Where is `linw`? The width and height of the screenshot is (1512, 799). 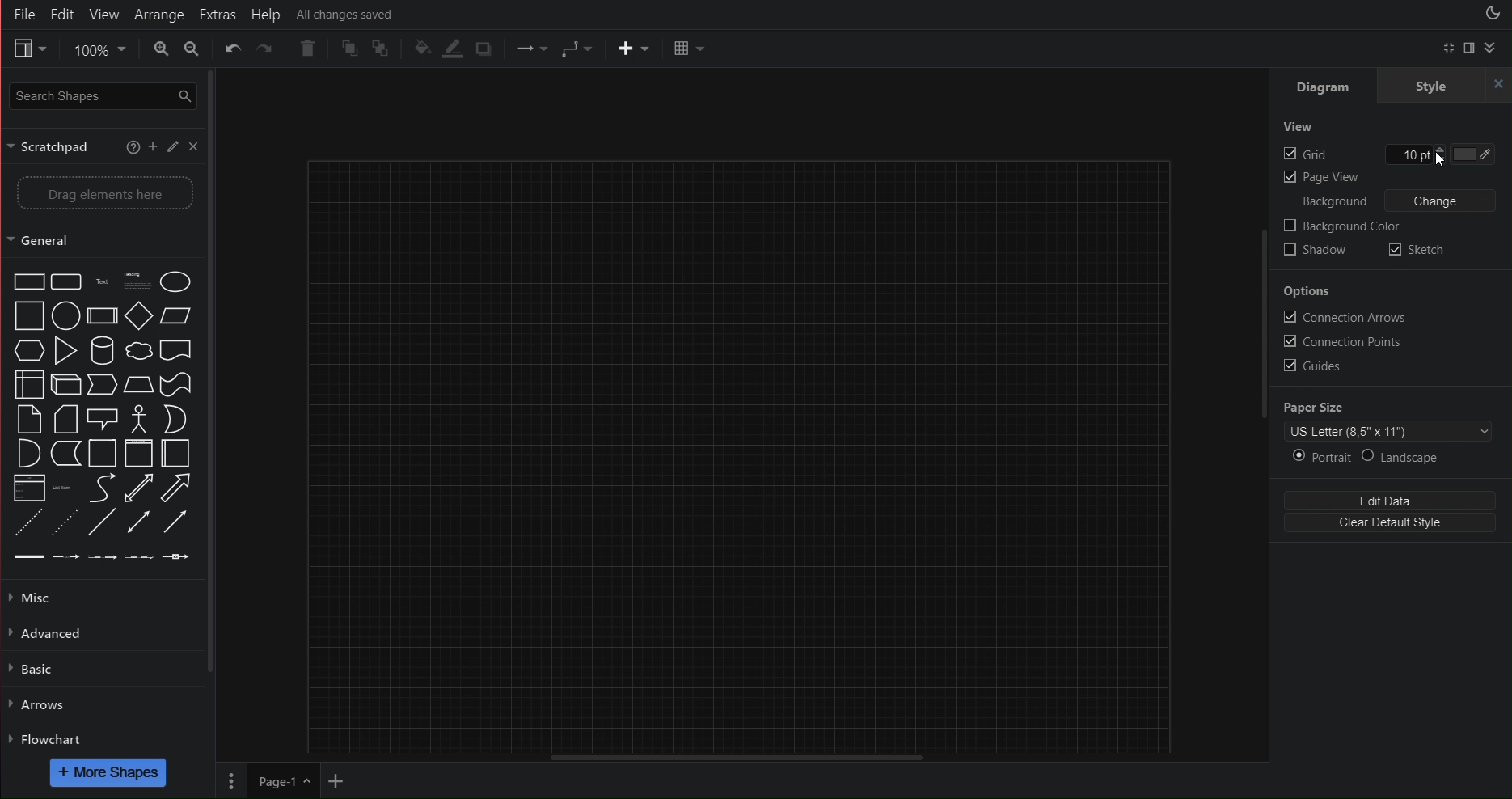
linw is located at coordinates (61, 484).